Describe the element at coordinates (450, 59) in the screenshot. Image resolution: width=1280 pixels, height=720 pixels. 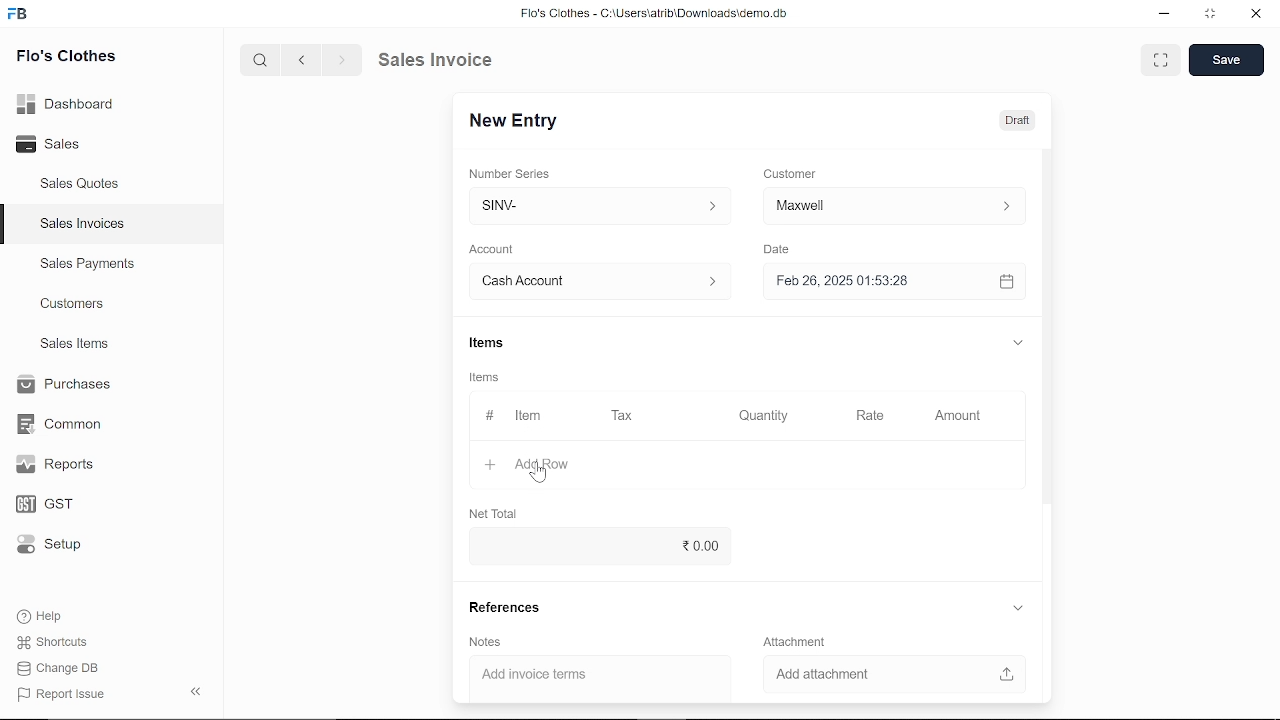
I see `Sales Invoice` at that location.